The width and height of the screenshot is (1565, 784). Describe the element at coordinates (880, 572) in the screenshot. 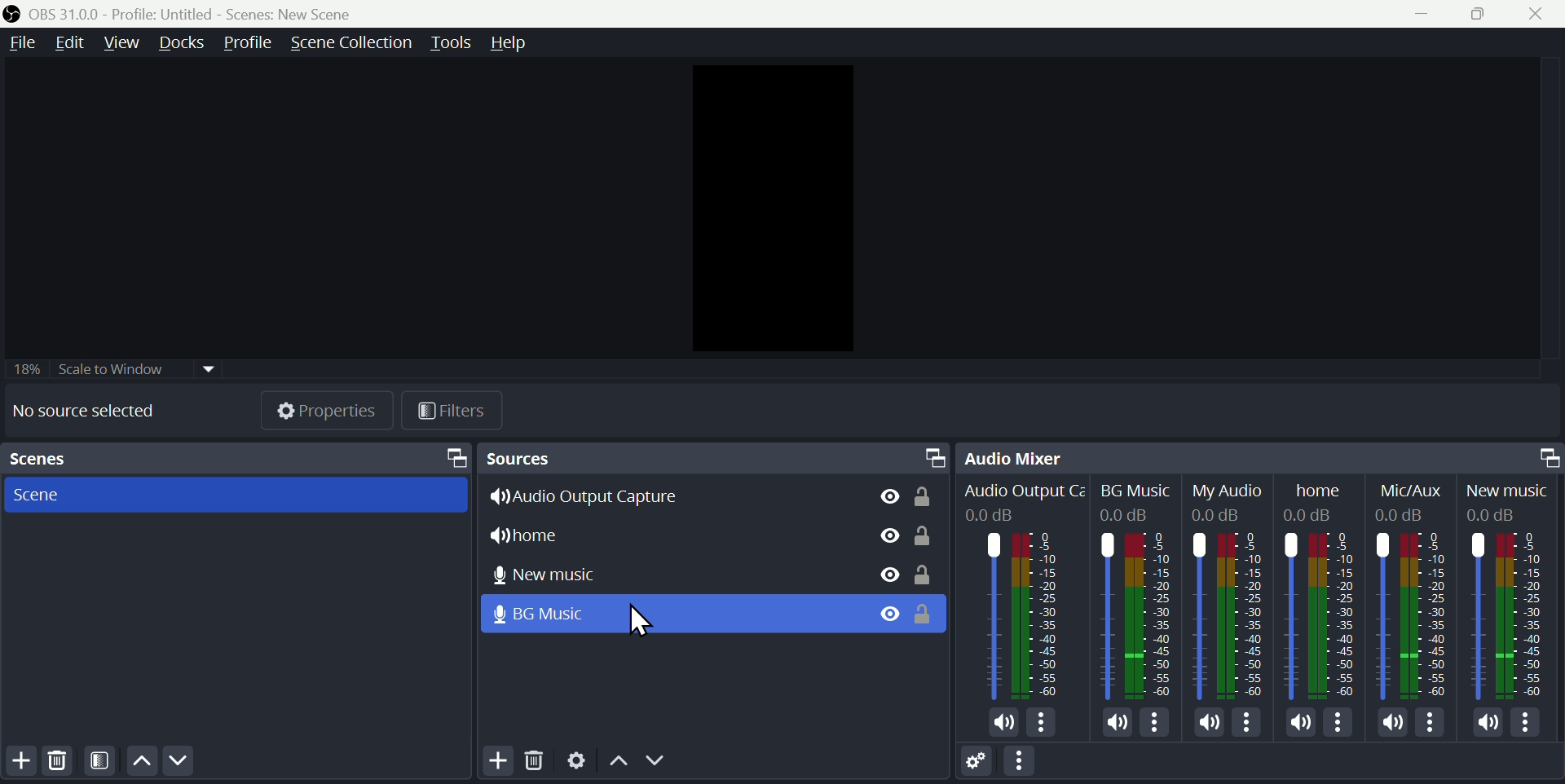

I see `eye` at that location.